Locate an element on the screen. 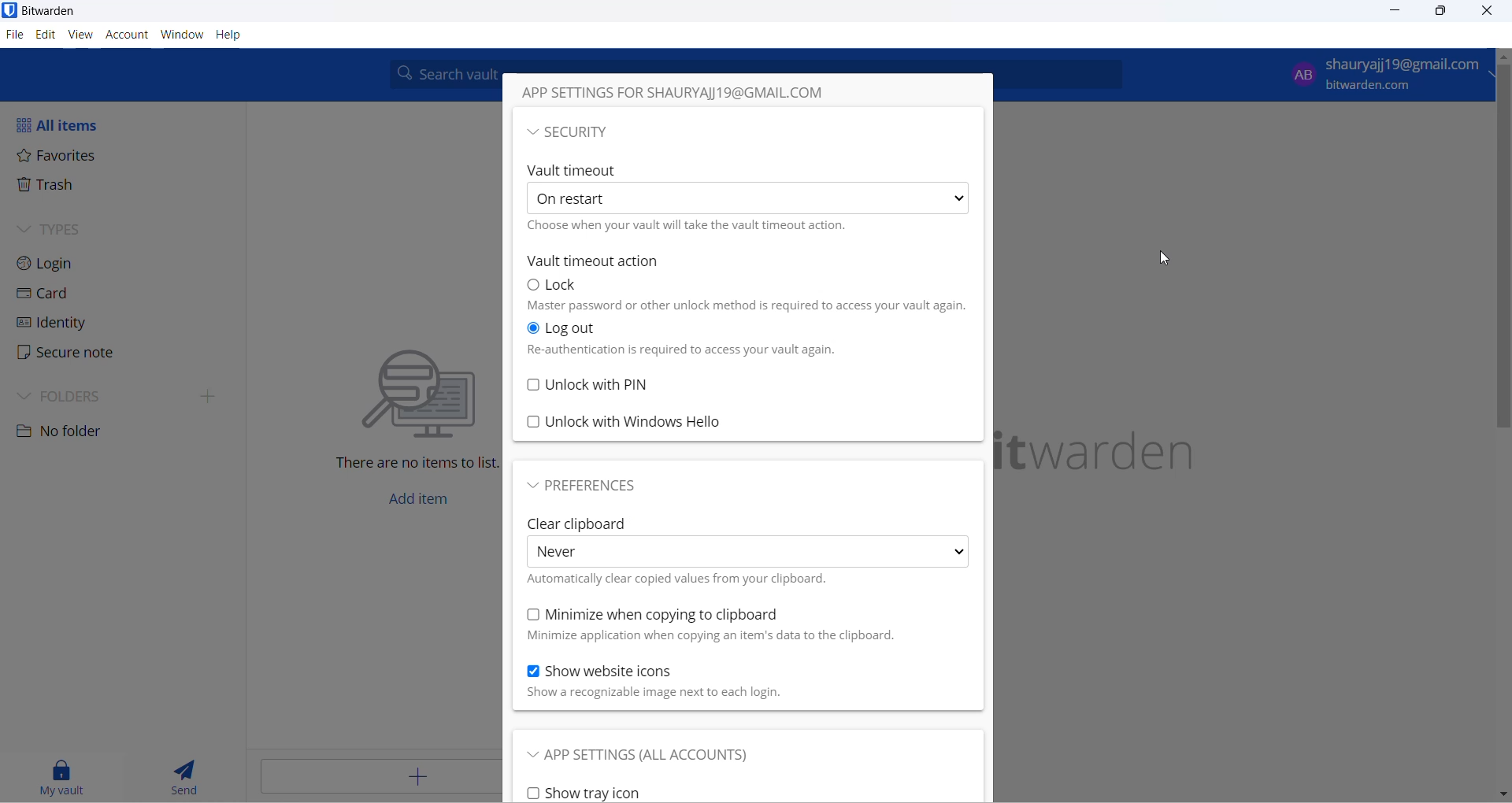  ~ SECURITY is located at coordinates (576, 132).